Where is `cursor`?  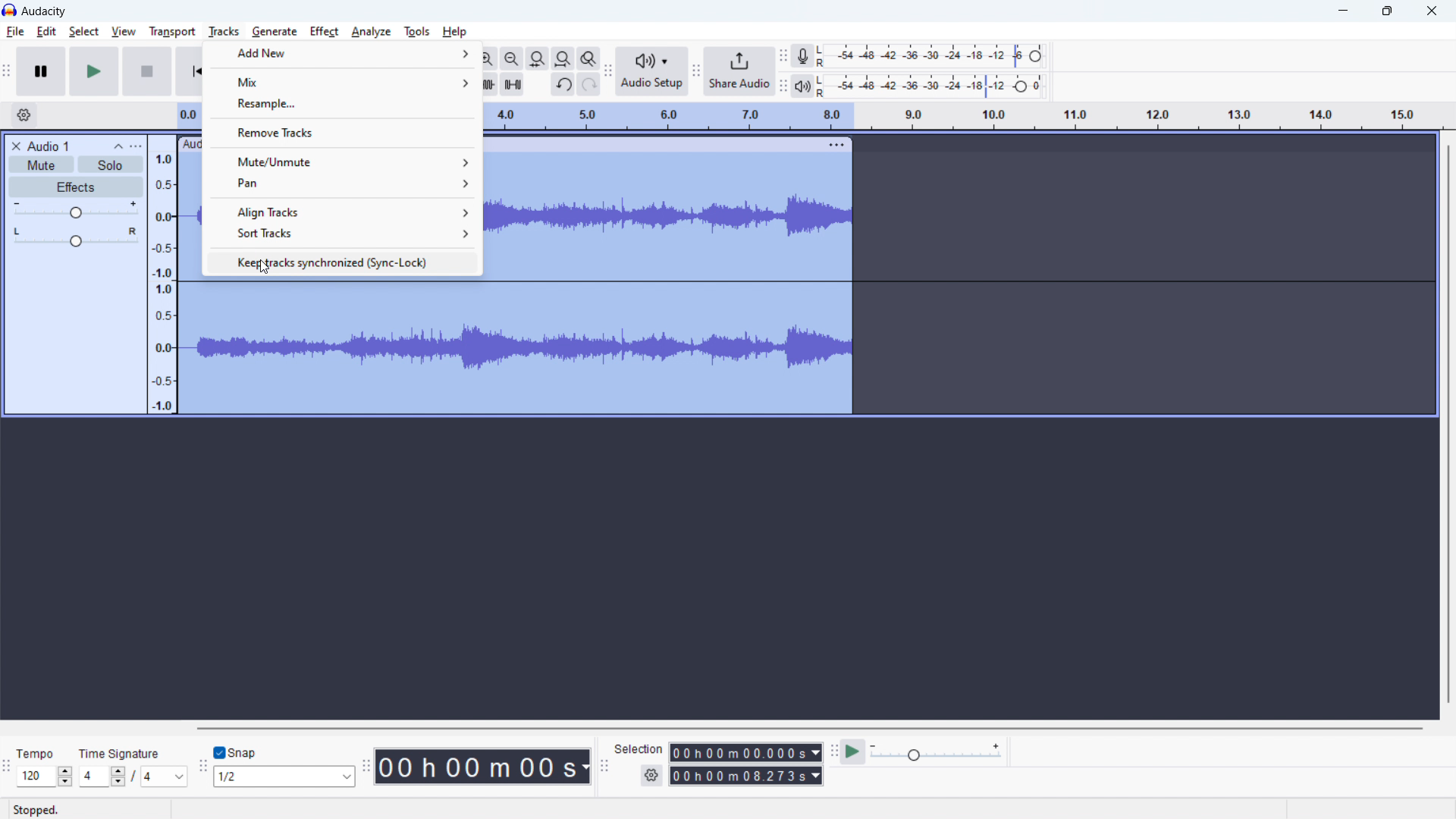
cursor is located at coordinates (265, 270).